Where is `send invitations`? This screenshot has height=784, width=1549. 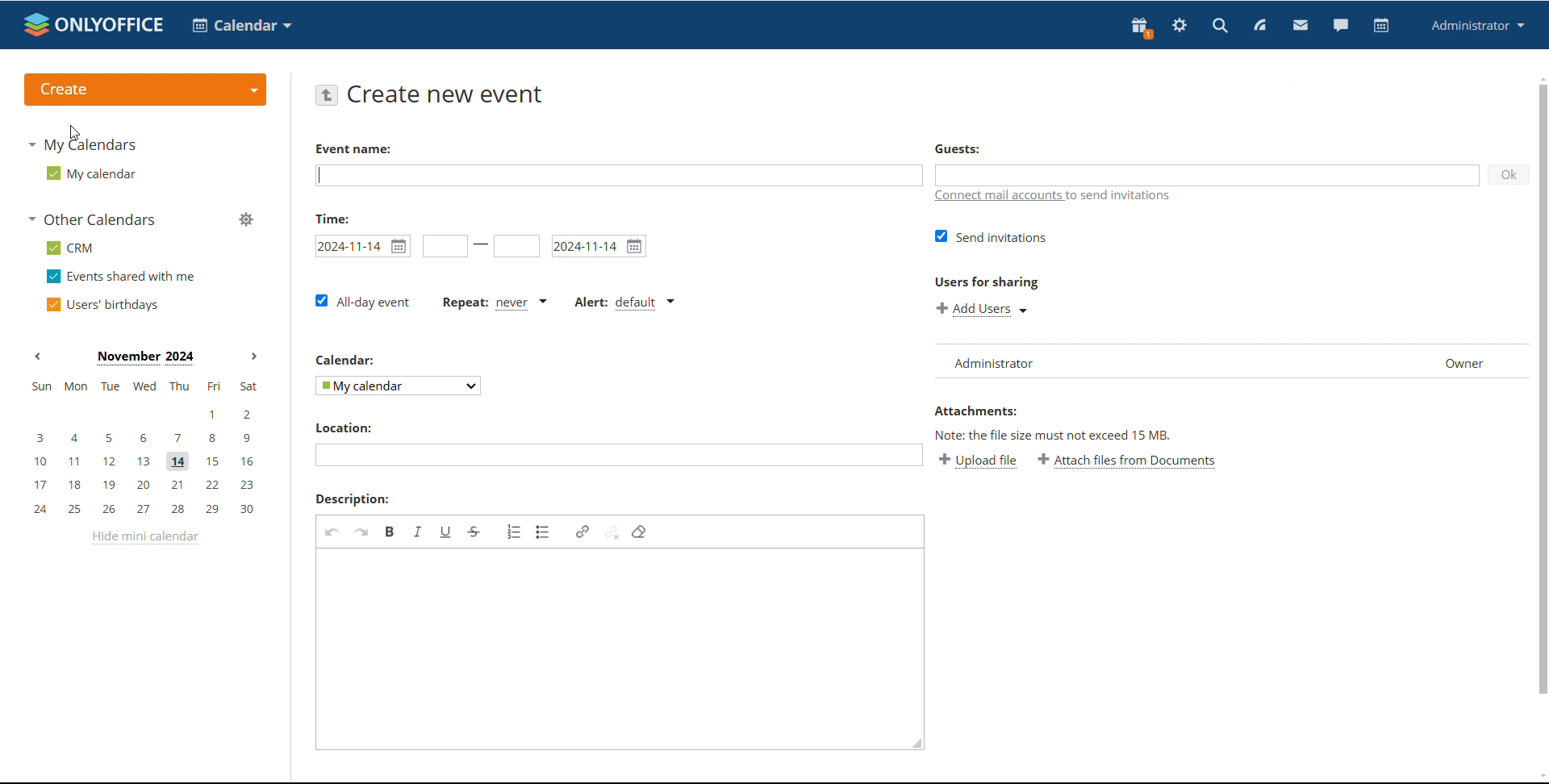
send invitations is located at coordinates (992, 236).